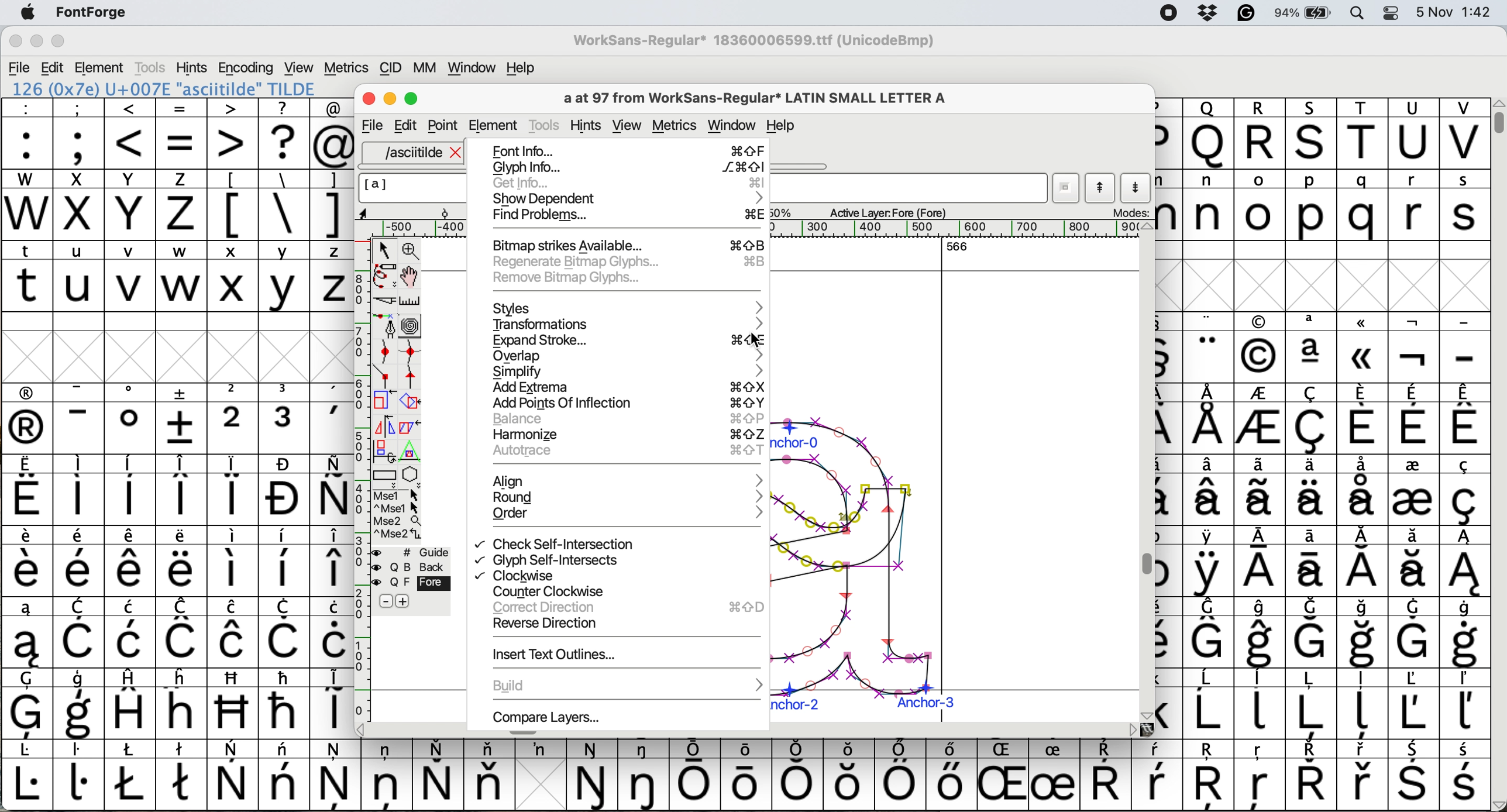  What do you see at coordinates (183, 490) in the screenshot?
I see `symbol` at bounding box center [183, 490].